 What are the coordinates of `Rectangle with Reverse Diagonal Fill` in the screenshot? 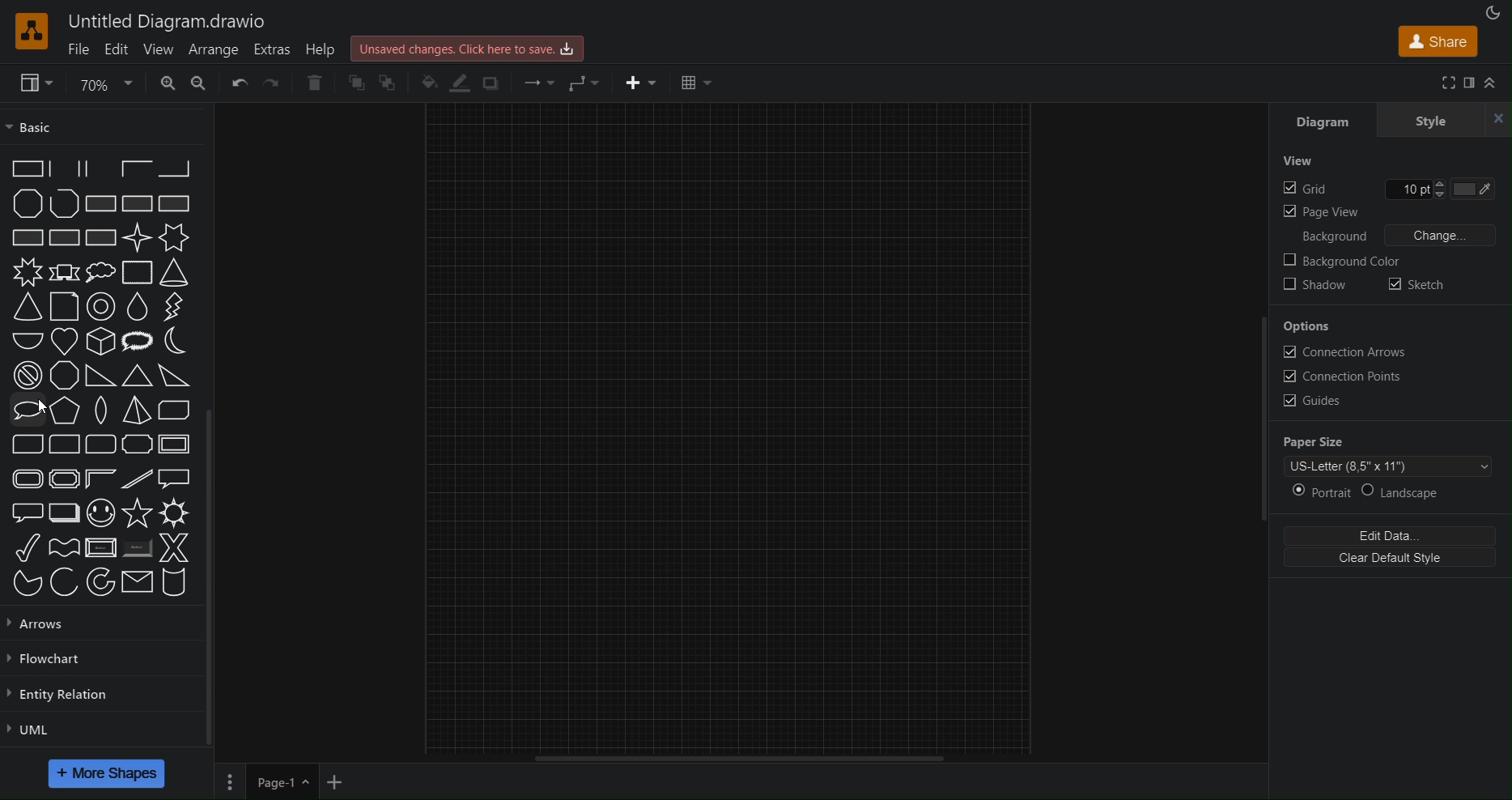 It's located at (138, 203).